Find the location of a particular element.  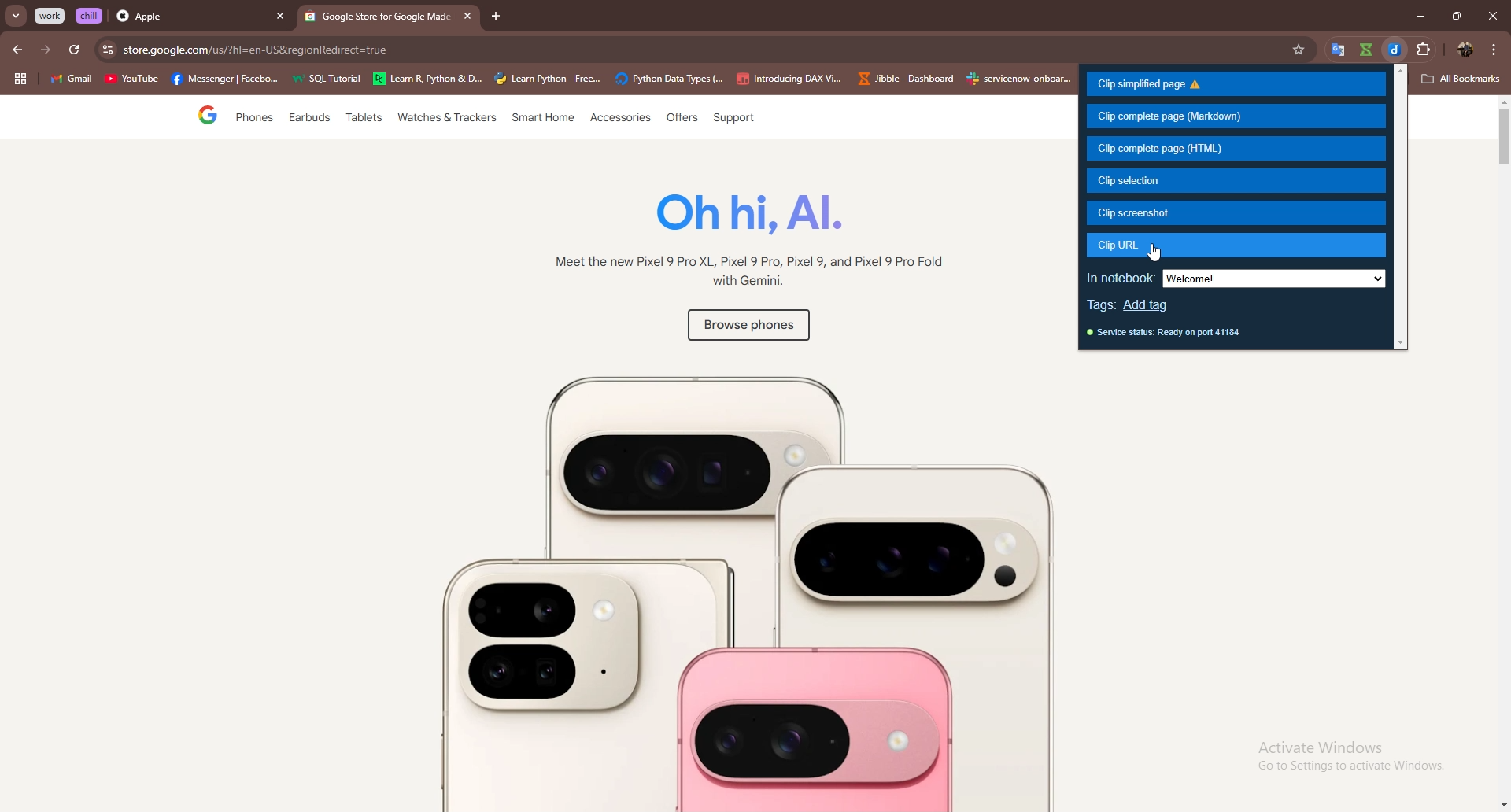

YouTube is located at coordinates (131, 81).